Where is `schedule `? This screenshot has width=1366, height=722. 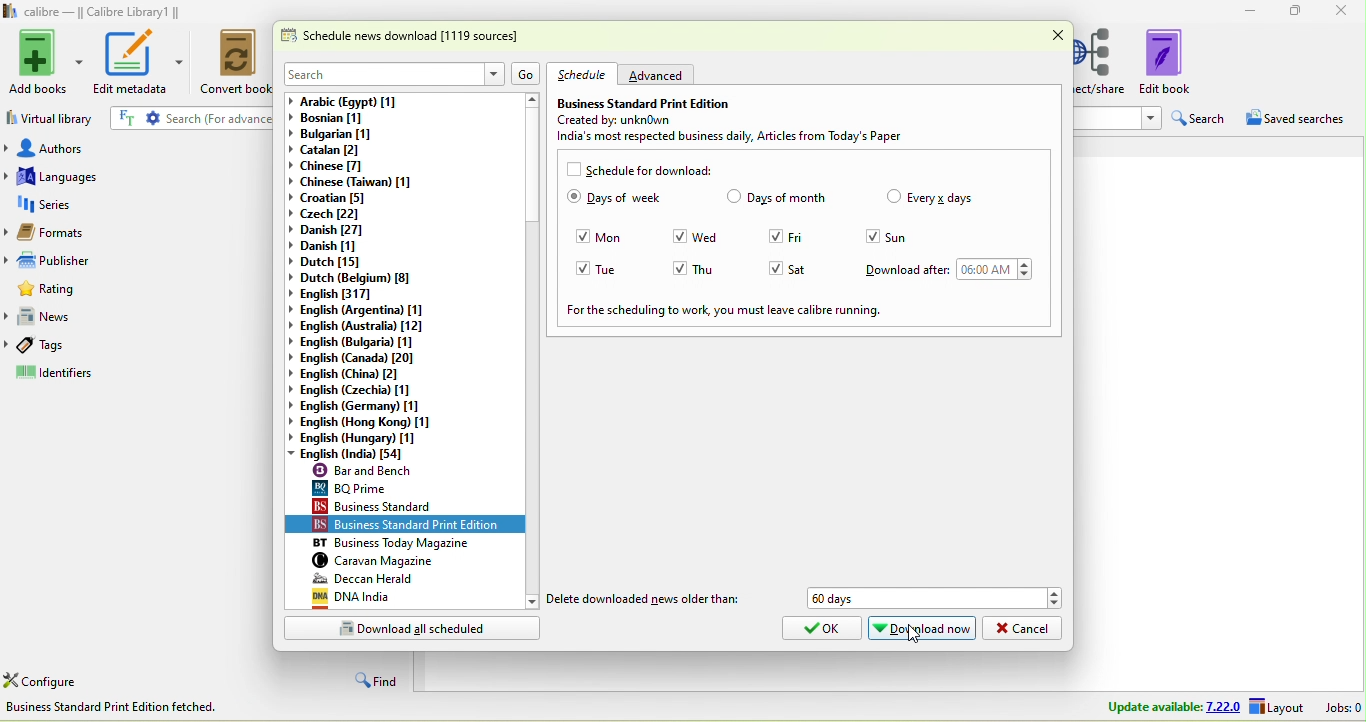
schedule  is located at coordinates (584, 73).